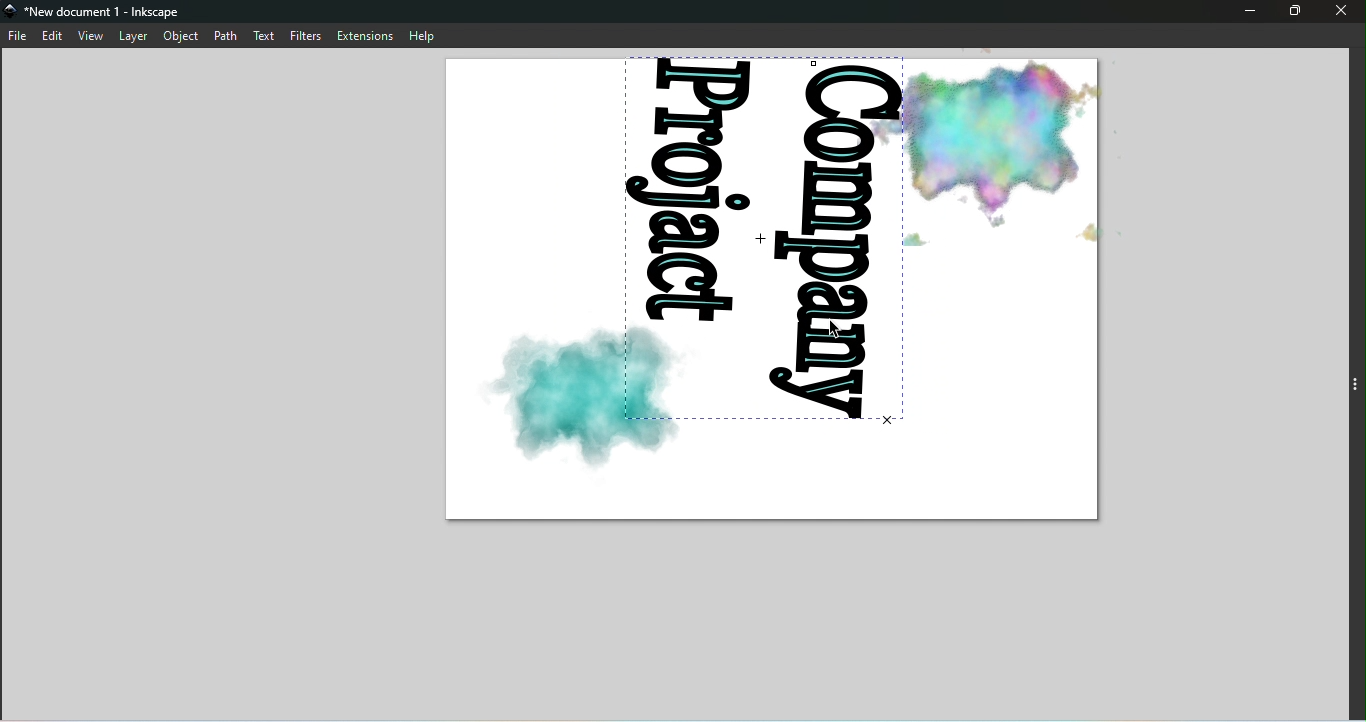  What do you see at coordinates (427, 34) in the screenshot?
I see `Help` at bounding box center [427, 34].